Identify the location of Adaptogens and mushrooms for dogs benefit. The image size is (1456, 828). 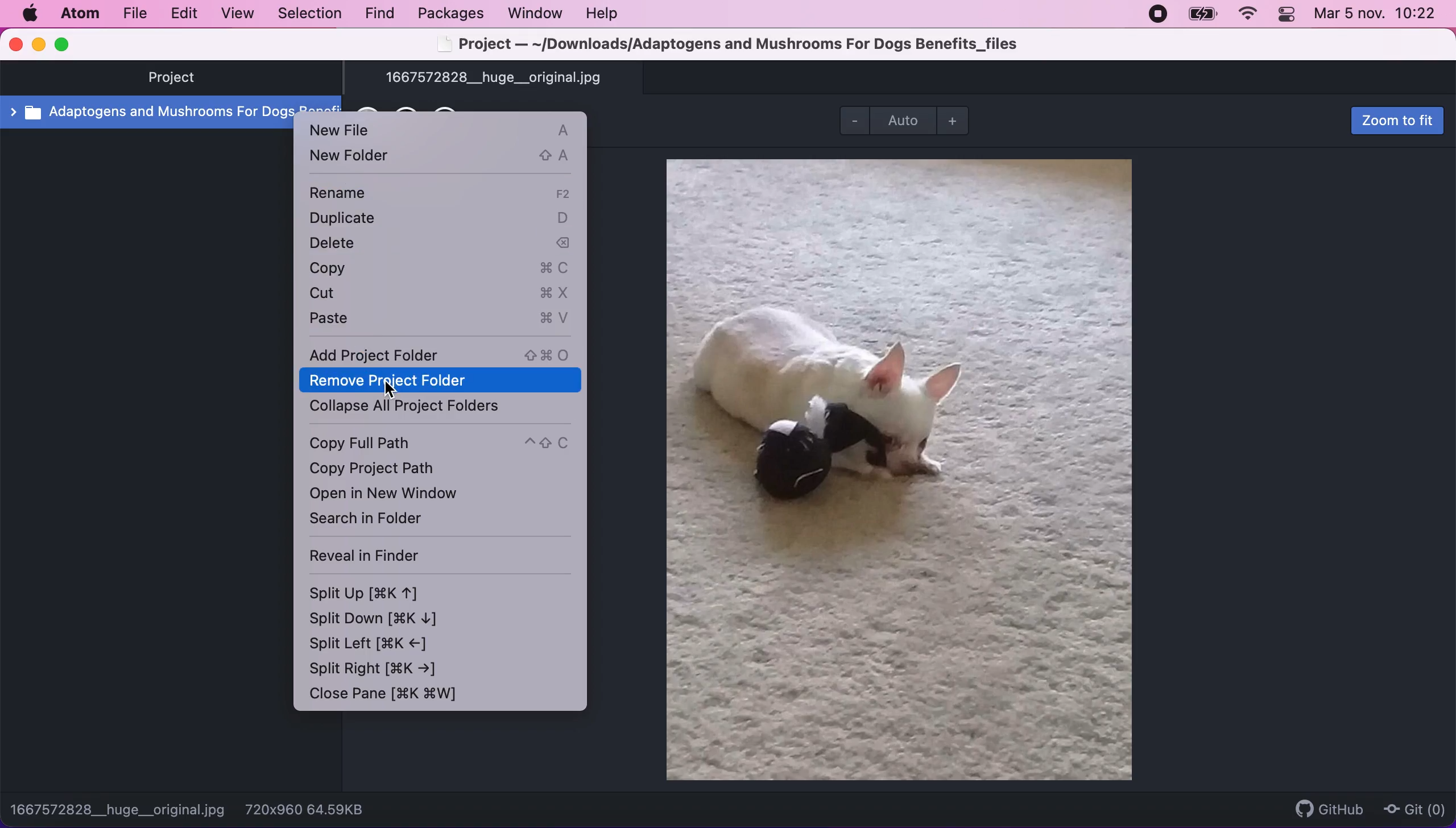
(175, 110).